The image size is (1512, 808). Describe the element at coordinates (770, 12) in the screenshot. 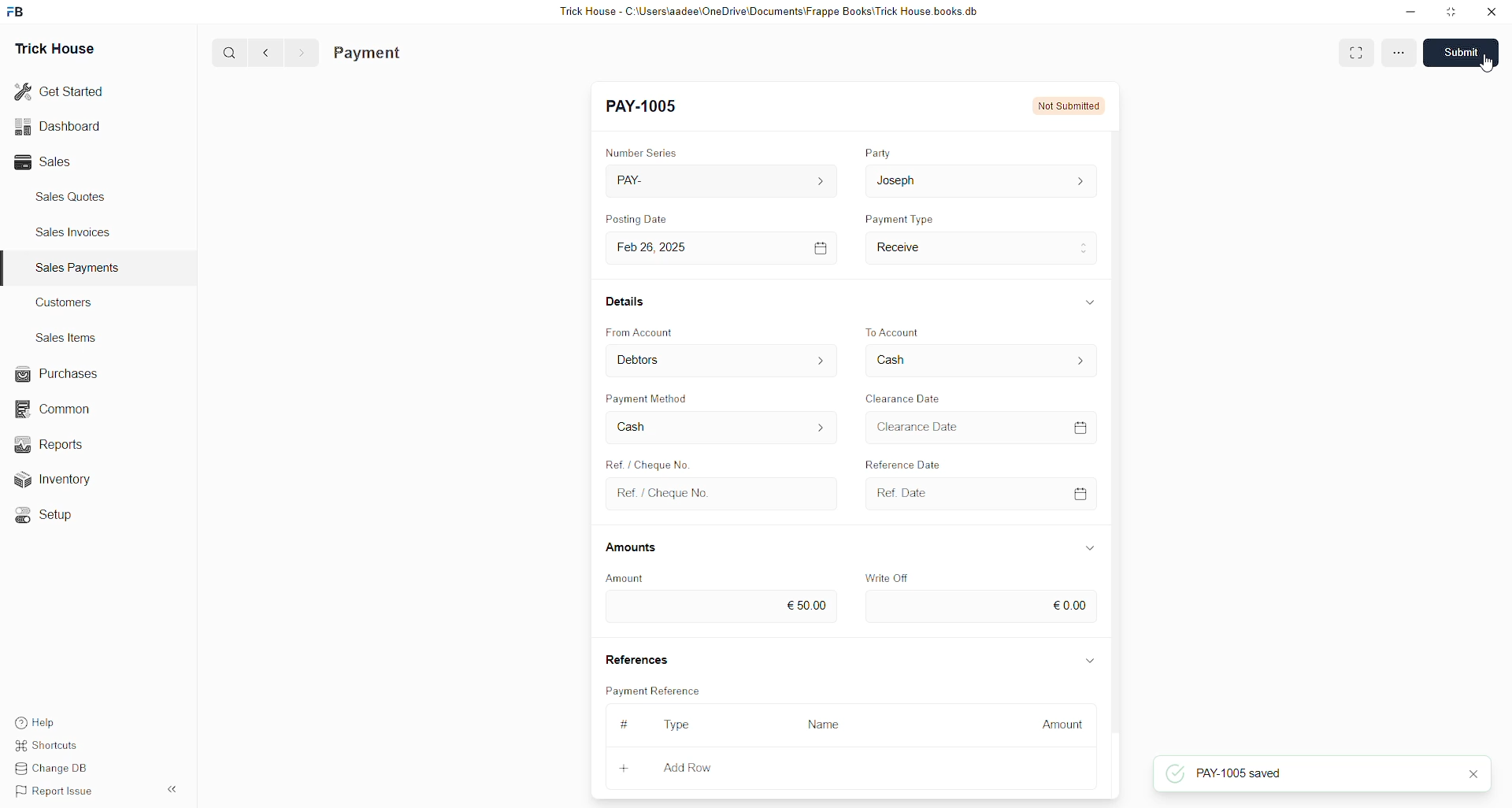

I see `Trick House - C:\Users\aadee\OneDrive\Documents\Frappe Books\Trick House books db` at that location.